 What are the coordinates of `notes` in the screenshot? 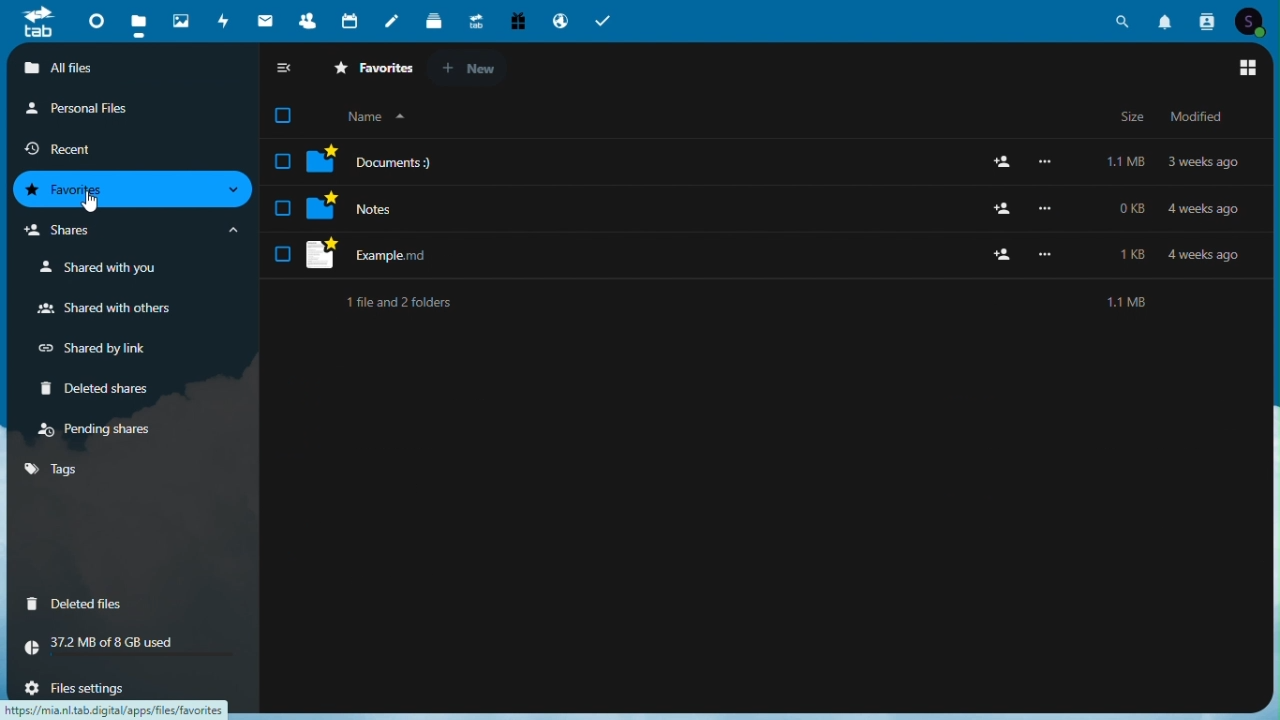 It's located at (396, 20).